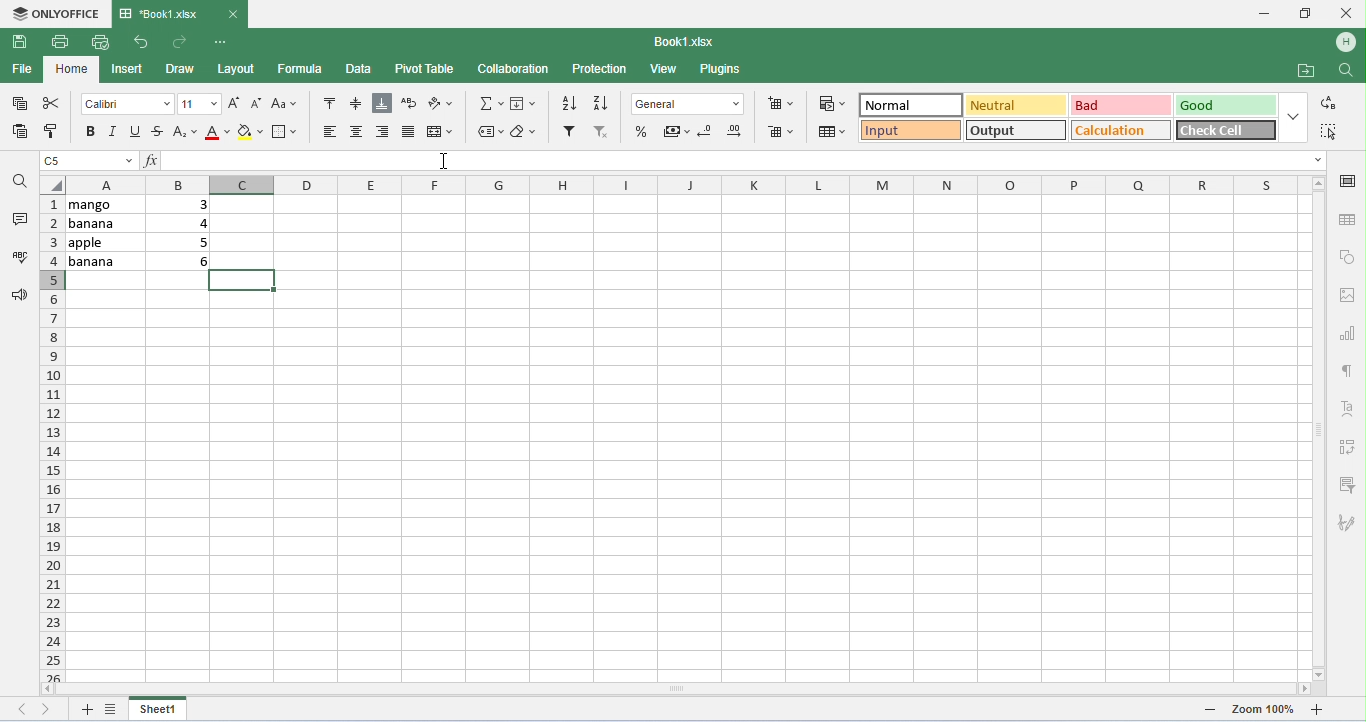 The height and width of the screenshot is (722, 1366). I want to click on drop down, so click(1317, 161).